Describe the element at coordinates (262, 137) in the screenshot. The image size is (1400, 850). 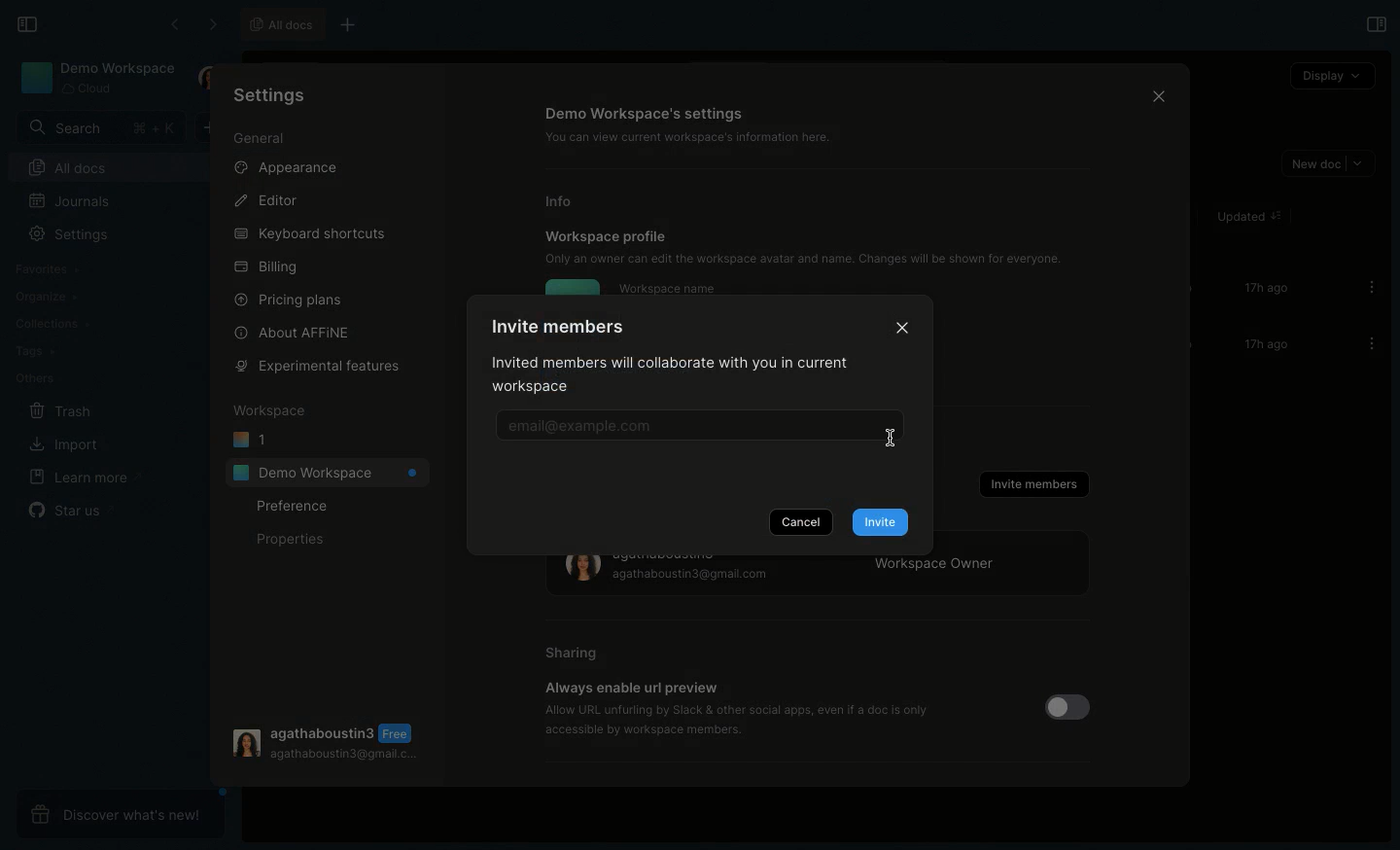
I see `General` at that location.